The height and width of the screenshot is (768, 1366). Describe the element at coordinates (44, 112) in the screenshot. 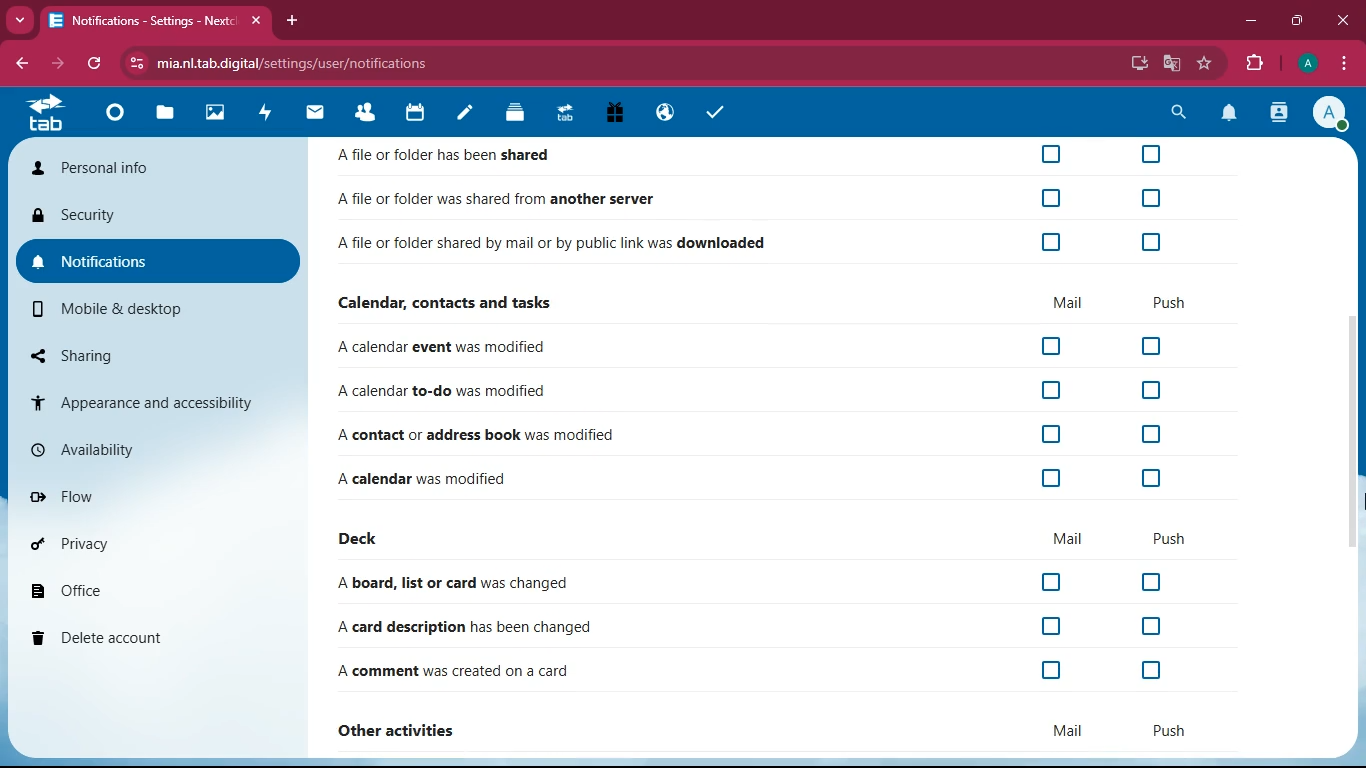

I see `home` at that location.